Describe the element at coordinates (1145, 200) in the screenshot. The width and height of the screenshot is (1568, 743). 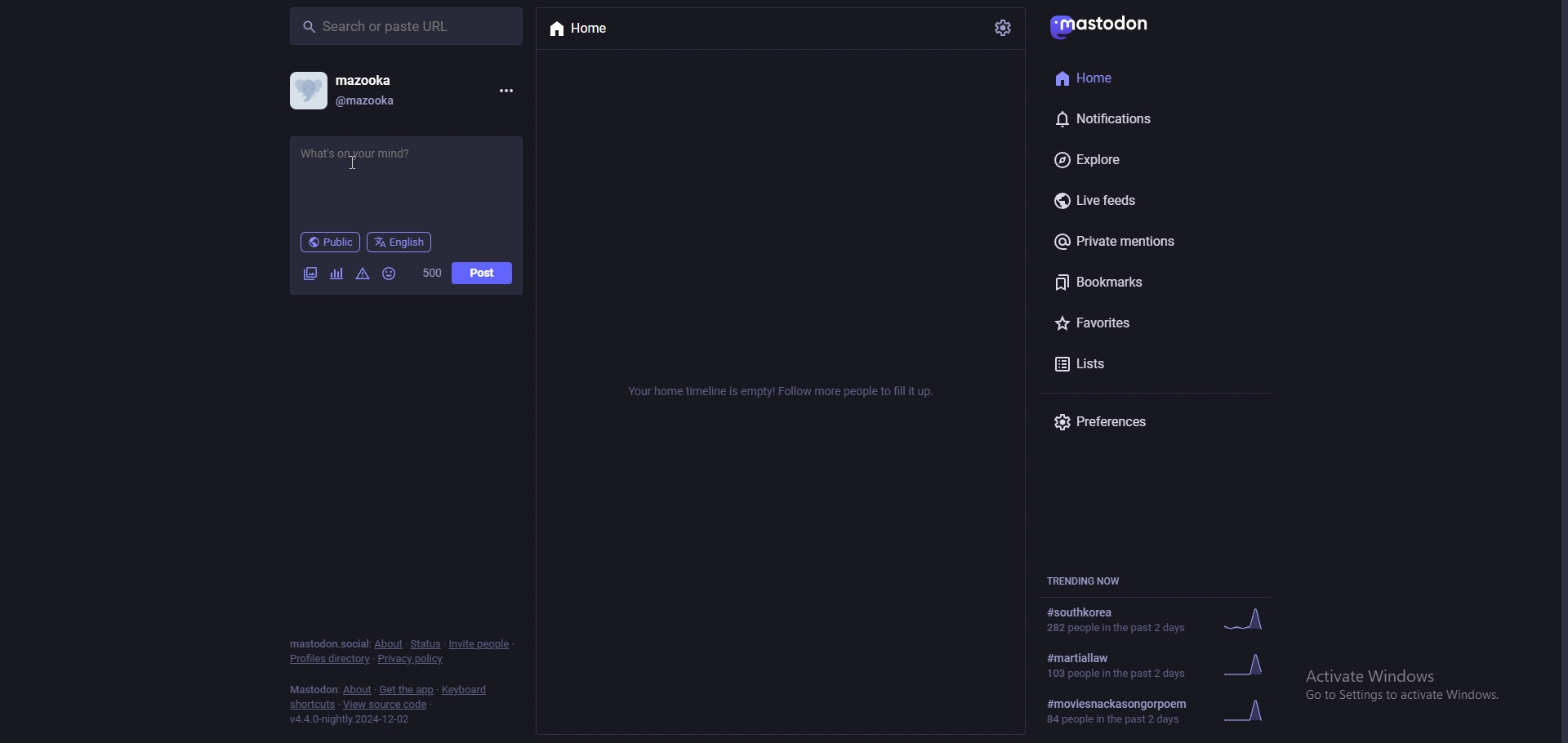
I see `live feeds` at that location.